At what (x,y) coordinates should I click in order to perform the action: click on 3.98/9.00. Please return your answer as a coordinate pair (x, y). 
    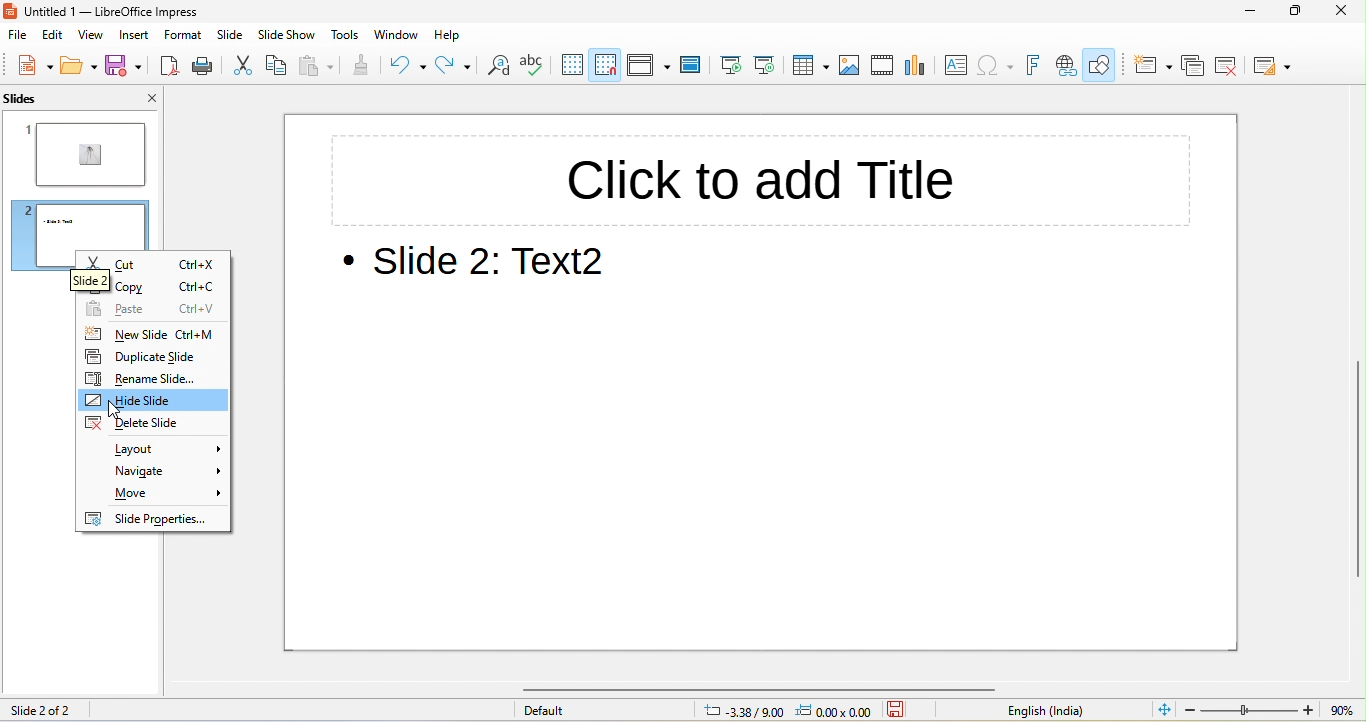
    Looking at the image, I should click on (742, 712).